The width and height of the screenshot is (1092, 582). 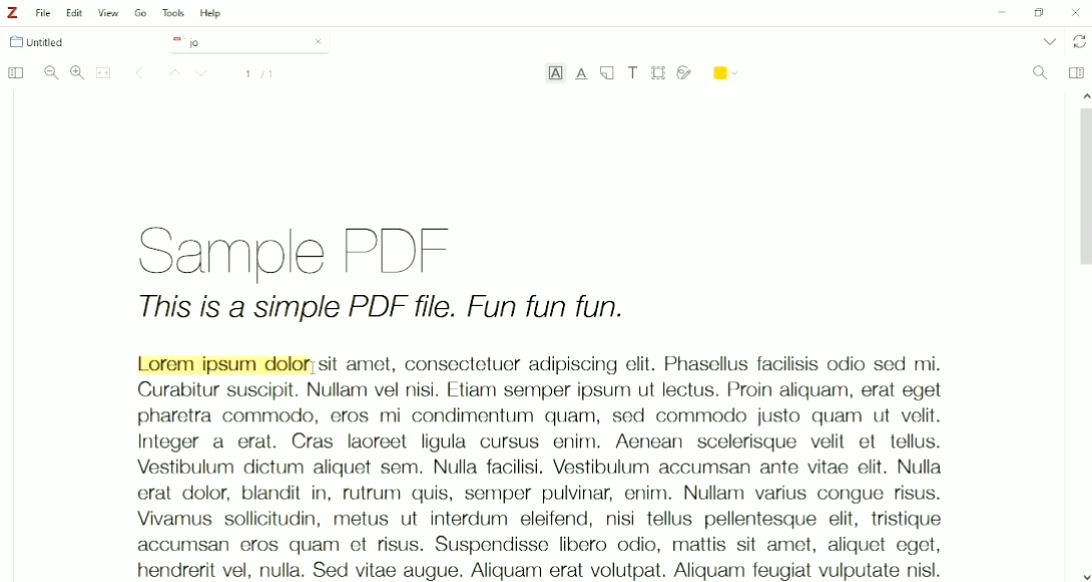 I want to click on Logo, so click(x=12, y=13).